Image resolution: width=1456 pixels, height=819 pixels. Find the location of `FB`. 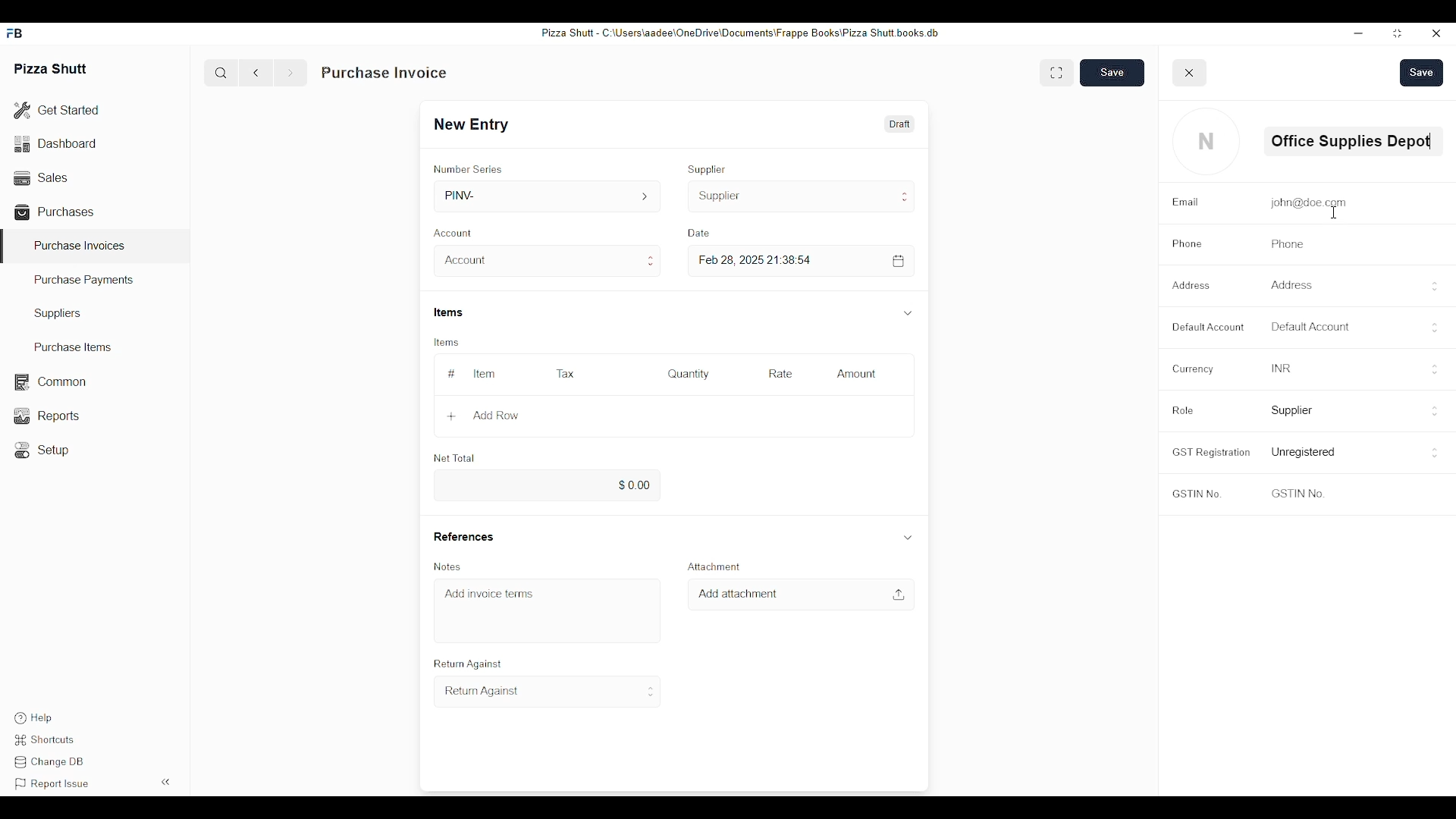

FB is located at coordinates (17, 33).